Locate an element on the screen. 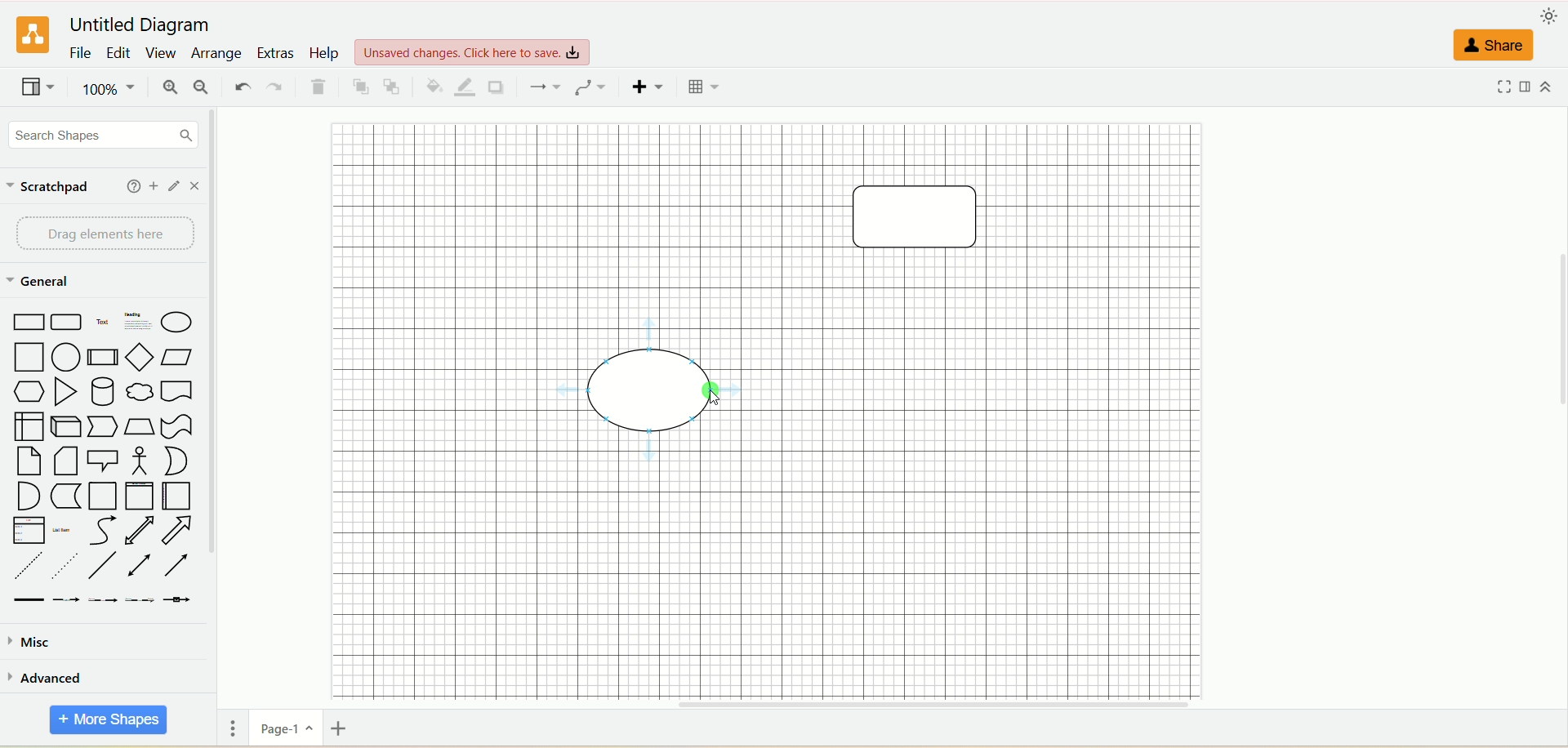 Image resolution: width=1568 pixels, height=748 pixels. redo is located at coordinates (275, 87).